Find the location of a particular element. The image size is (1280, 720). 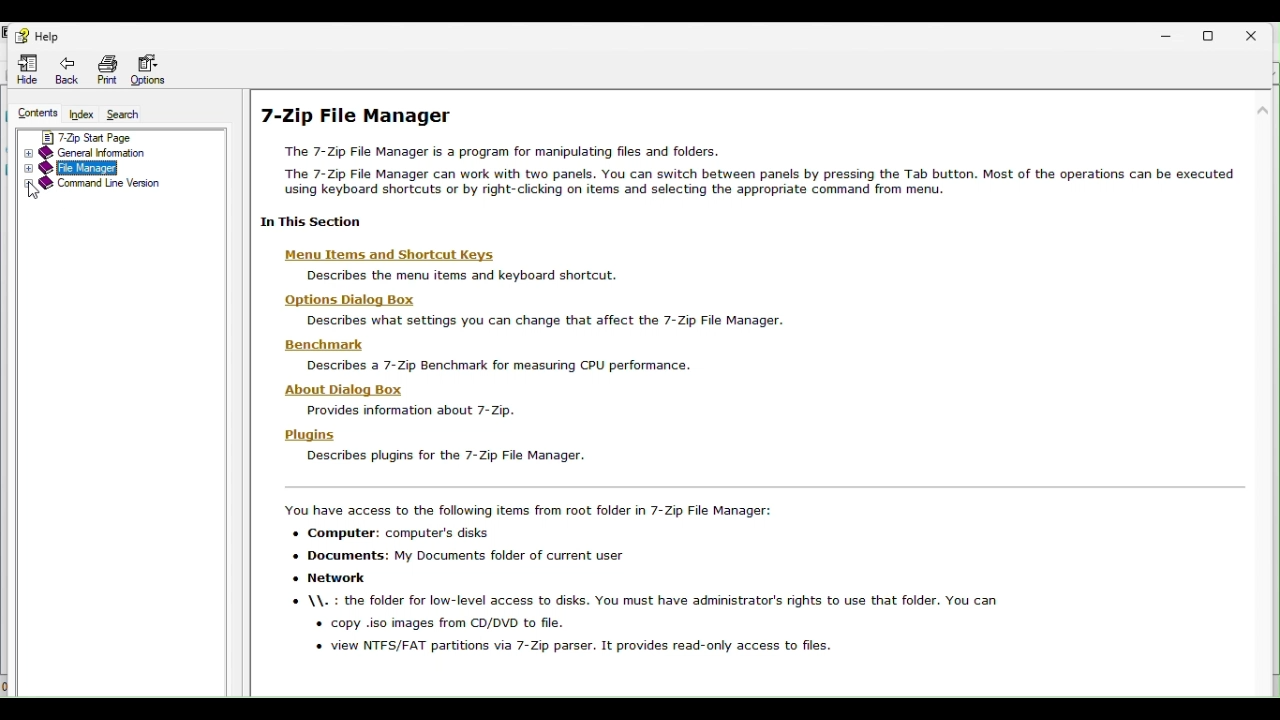

description text about settings you can change is located at coordinates (548, 322).